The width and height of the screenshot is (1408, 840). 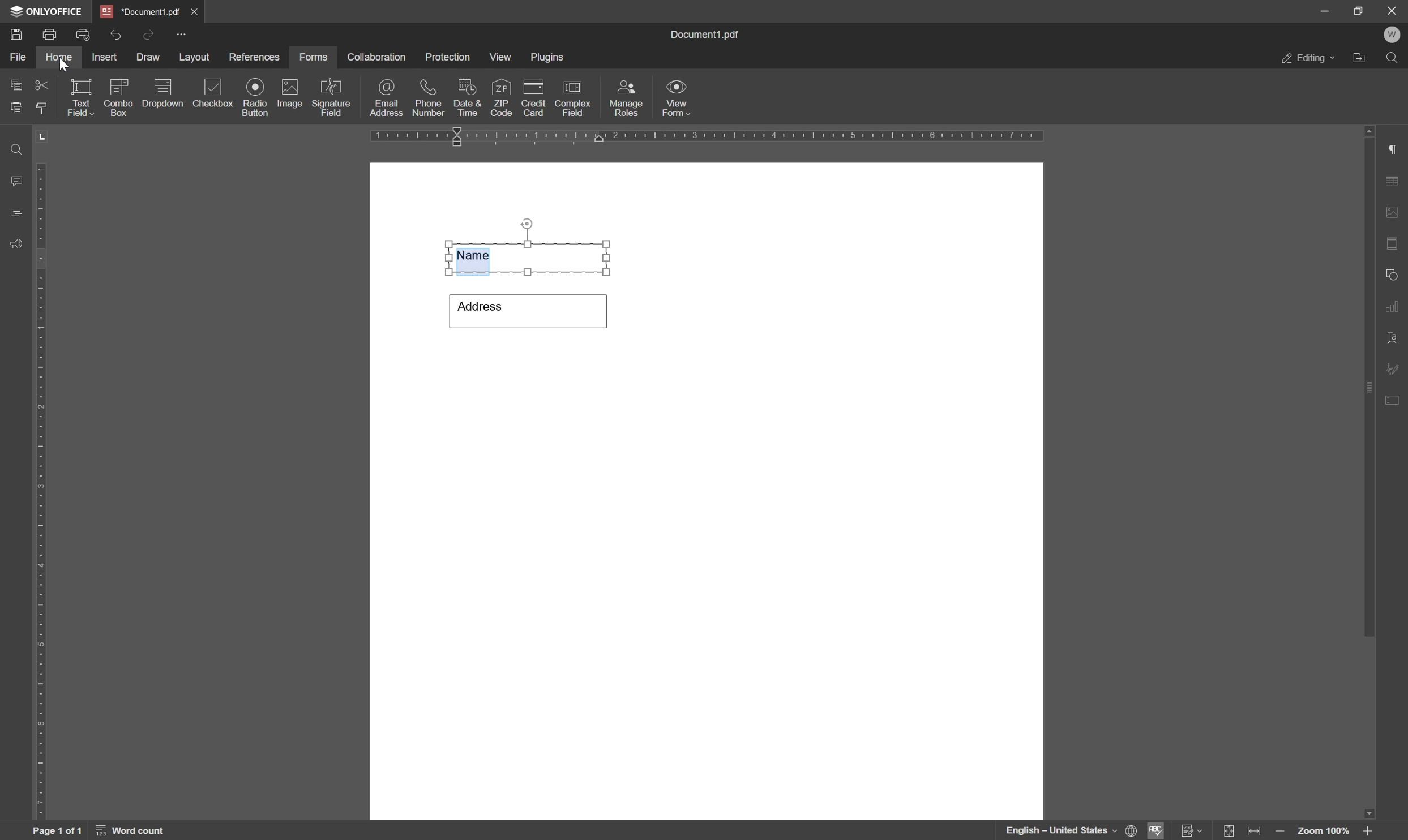 I want to click on zip code, so click(x=500, y=98).